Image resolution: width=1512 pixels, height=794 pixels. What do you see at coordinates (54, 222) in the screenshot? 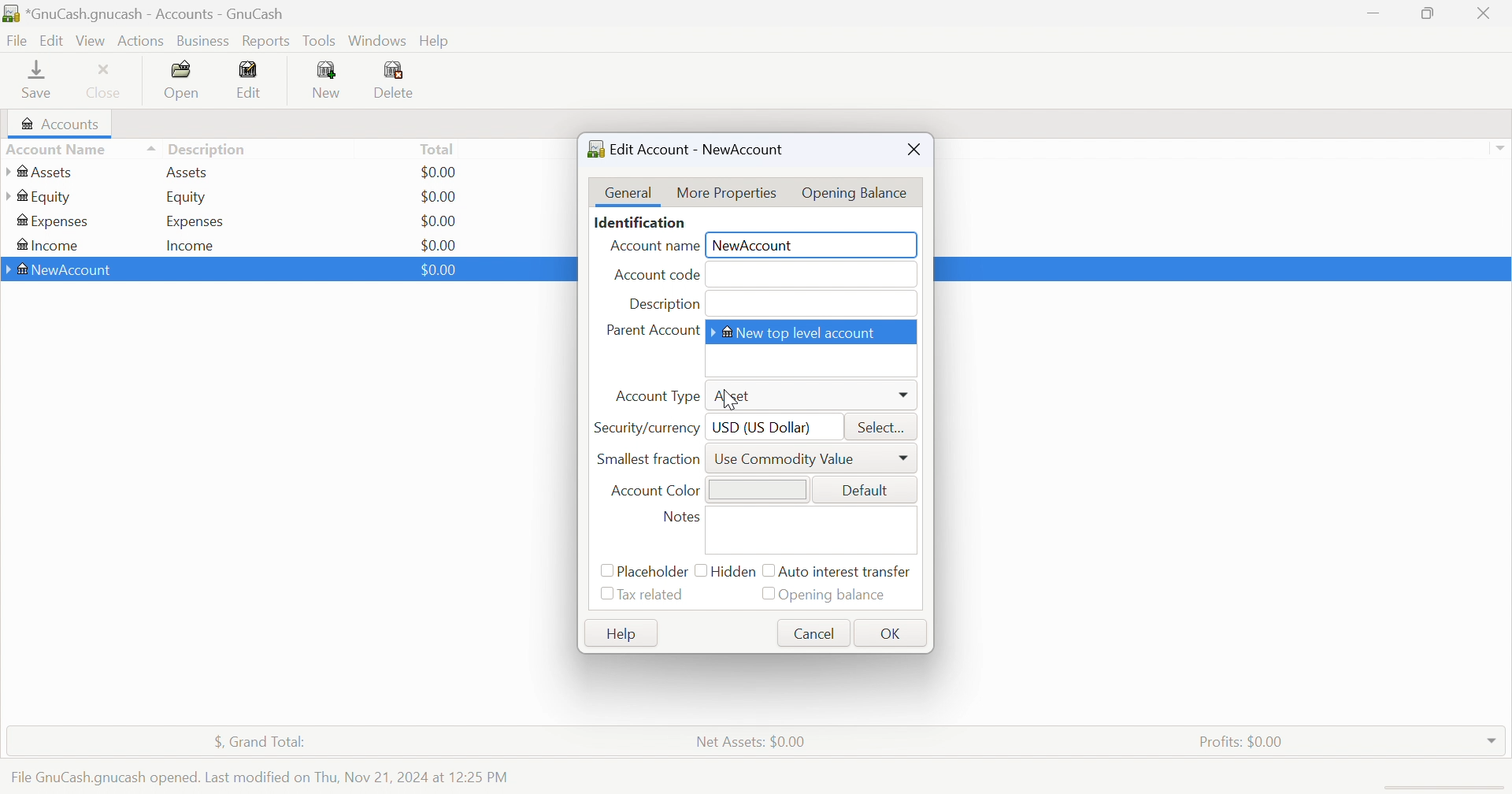
I see `Expenses` at bounding box center [54, 222].